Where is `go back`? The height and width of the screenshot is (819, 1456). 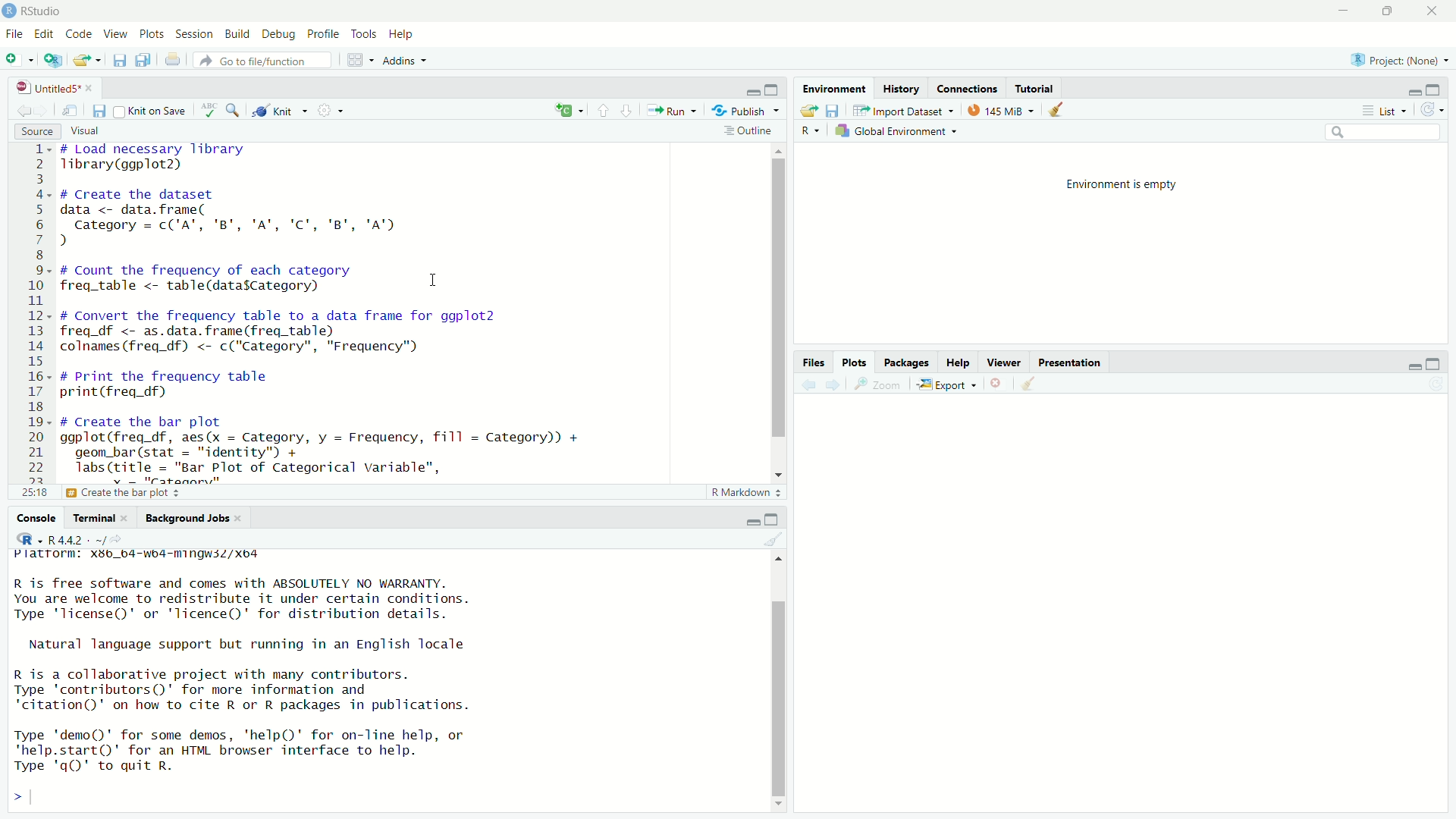 go back is located at coordinates (24, 111).